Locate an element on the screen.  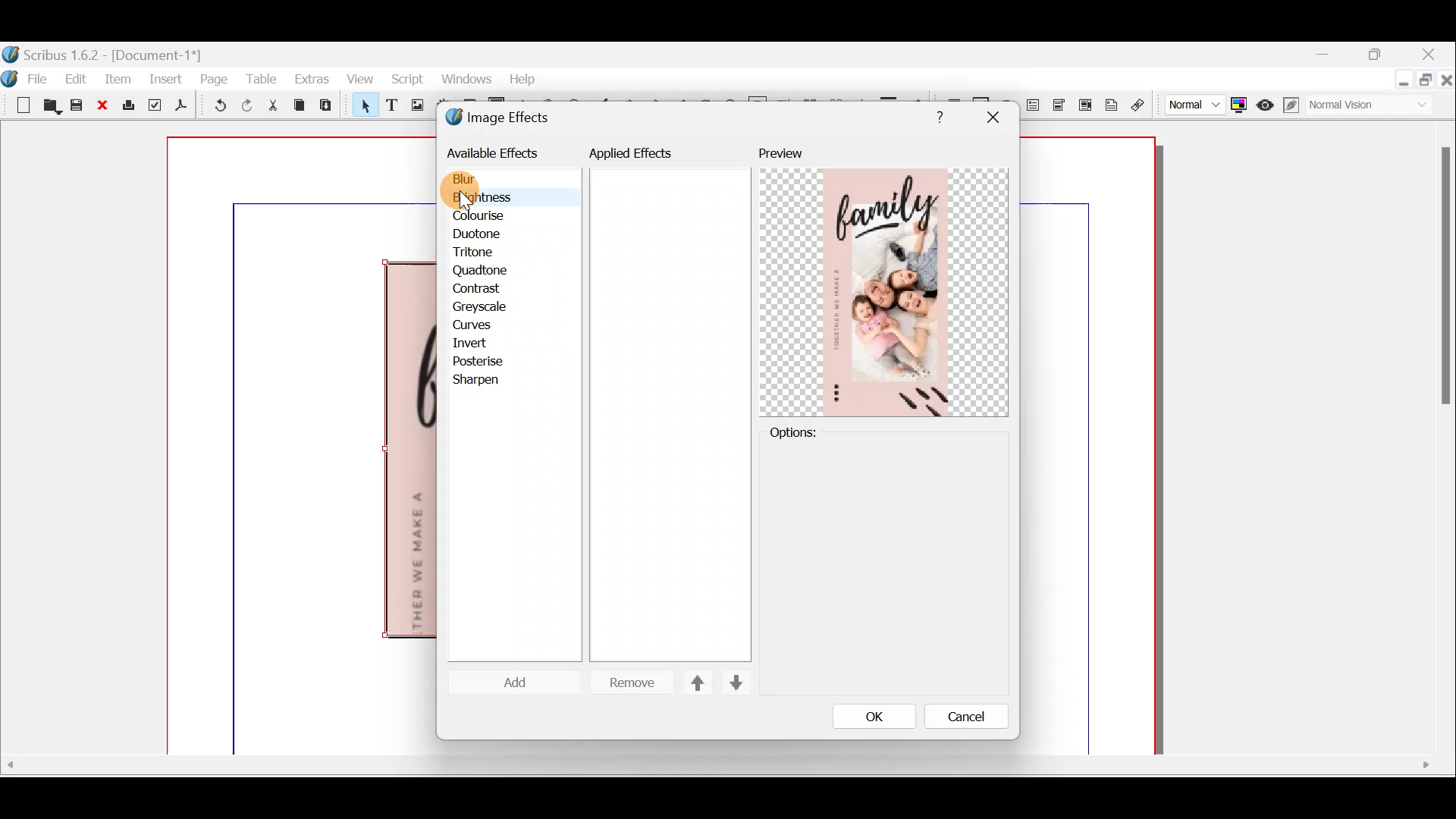
File is located at coordinates (42, 77).